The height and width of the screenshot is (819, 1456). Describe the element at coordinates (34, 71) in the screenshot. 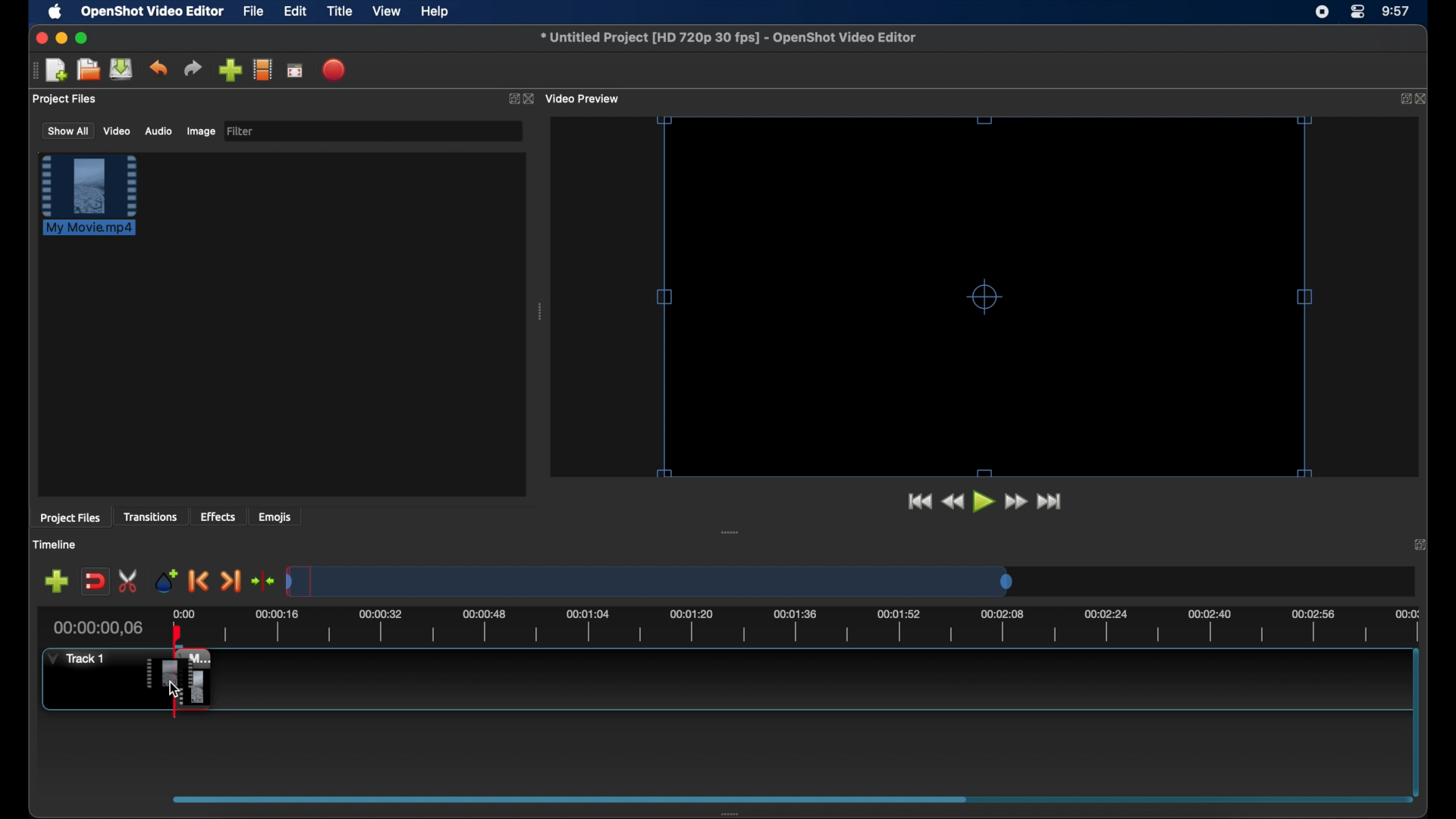

I see `drag handle` at that location.